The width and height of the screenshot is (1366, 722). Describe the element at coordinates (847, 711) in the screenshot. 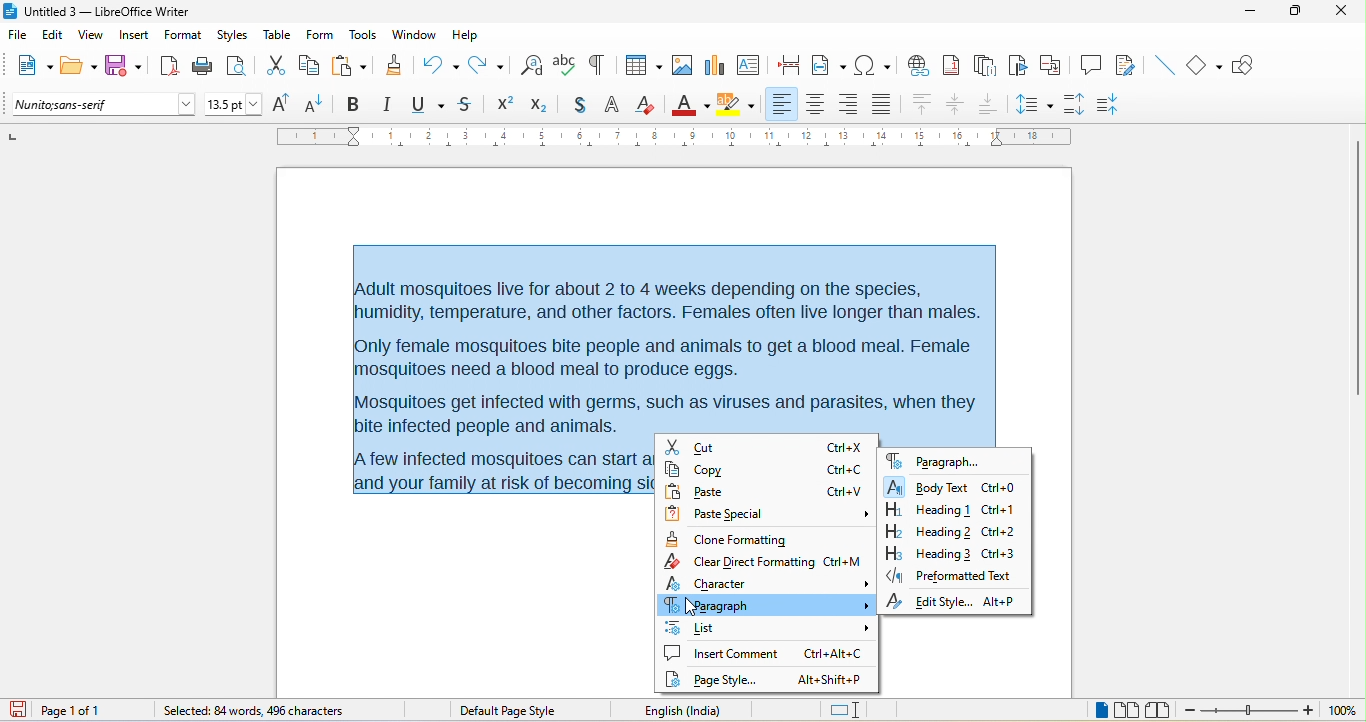

I see `standard selection` at that location.